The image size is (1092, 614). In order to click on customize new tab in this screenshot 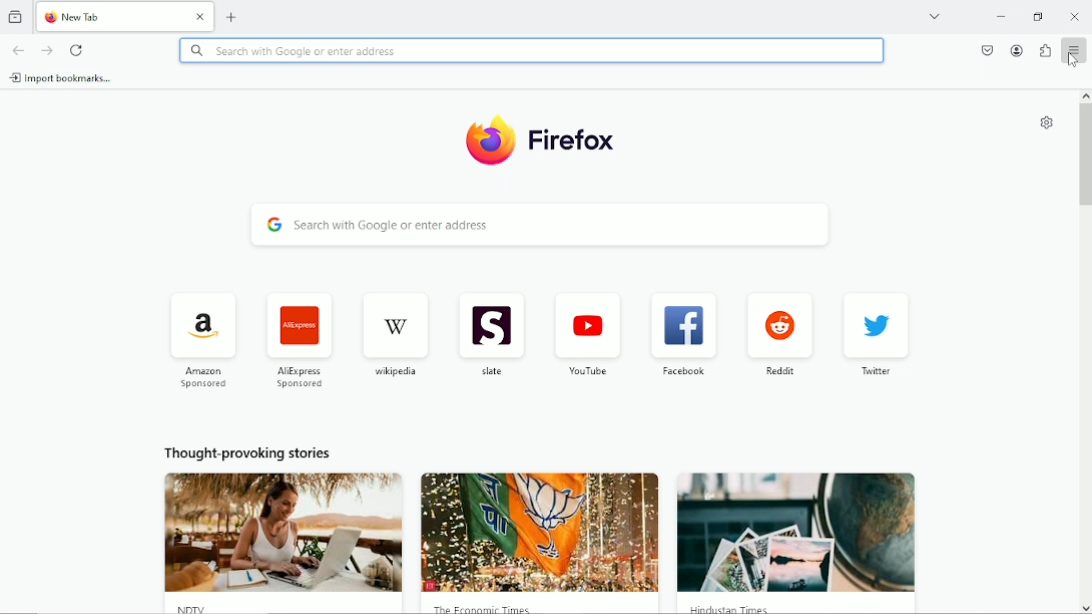, I will do `click(1046, 121)`.